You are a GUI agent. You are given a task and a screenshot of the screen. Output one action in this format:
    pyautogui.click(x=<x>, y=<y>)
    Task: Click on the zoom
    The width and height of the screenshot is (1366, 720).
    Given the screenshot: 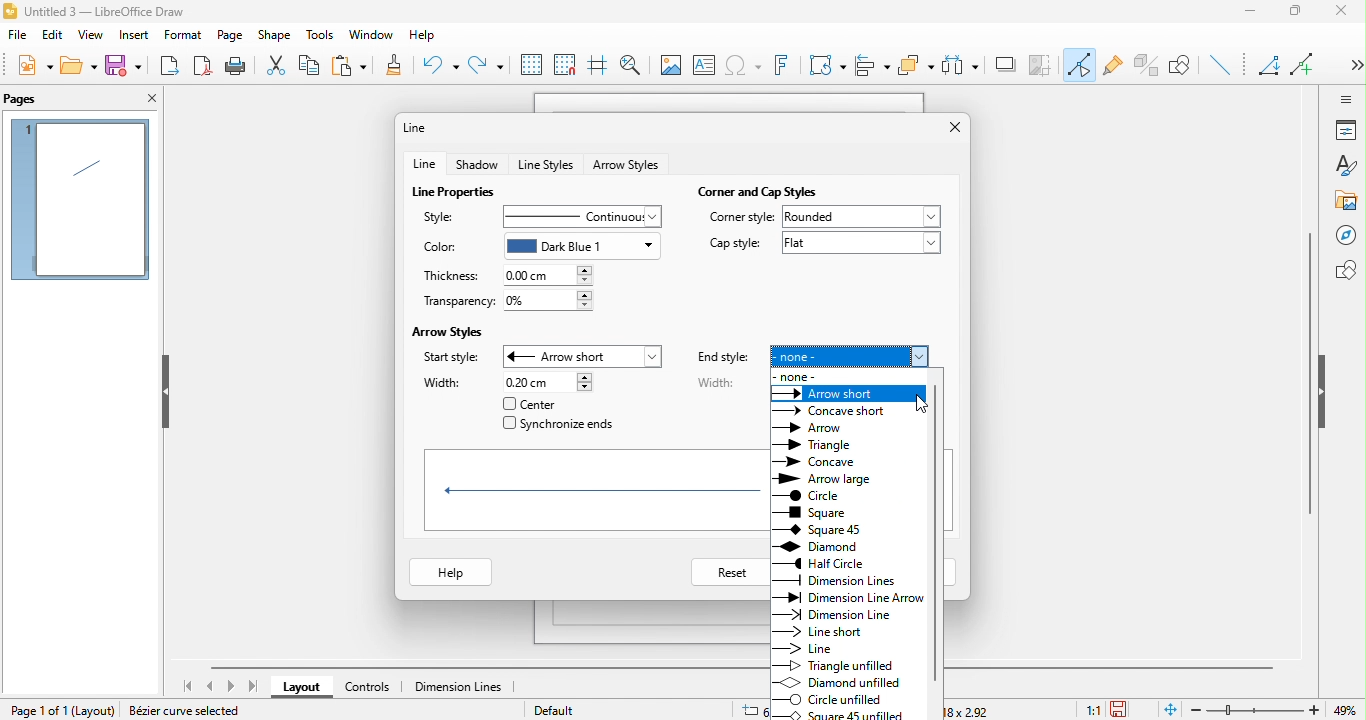 What is the action you would take?
    pyautogui.click(x=1278, y=710)
    